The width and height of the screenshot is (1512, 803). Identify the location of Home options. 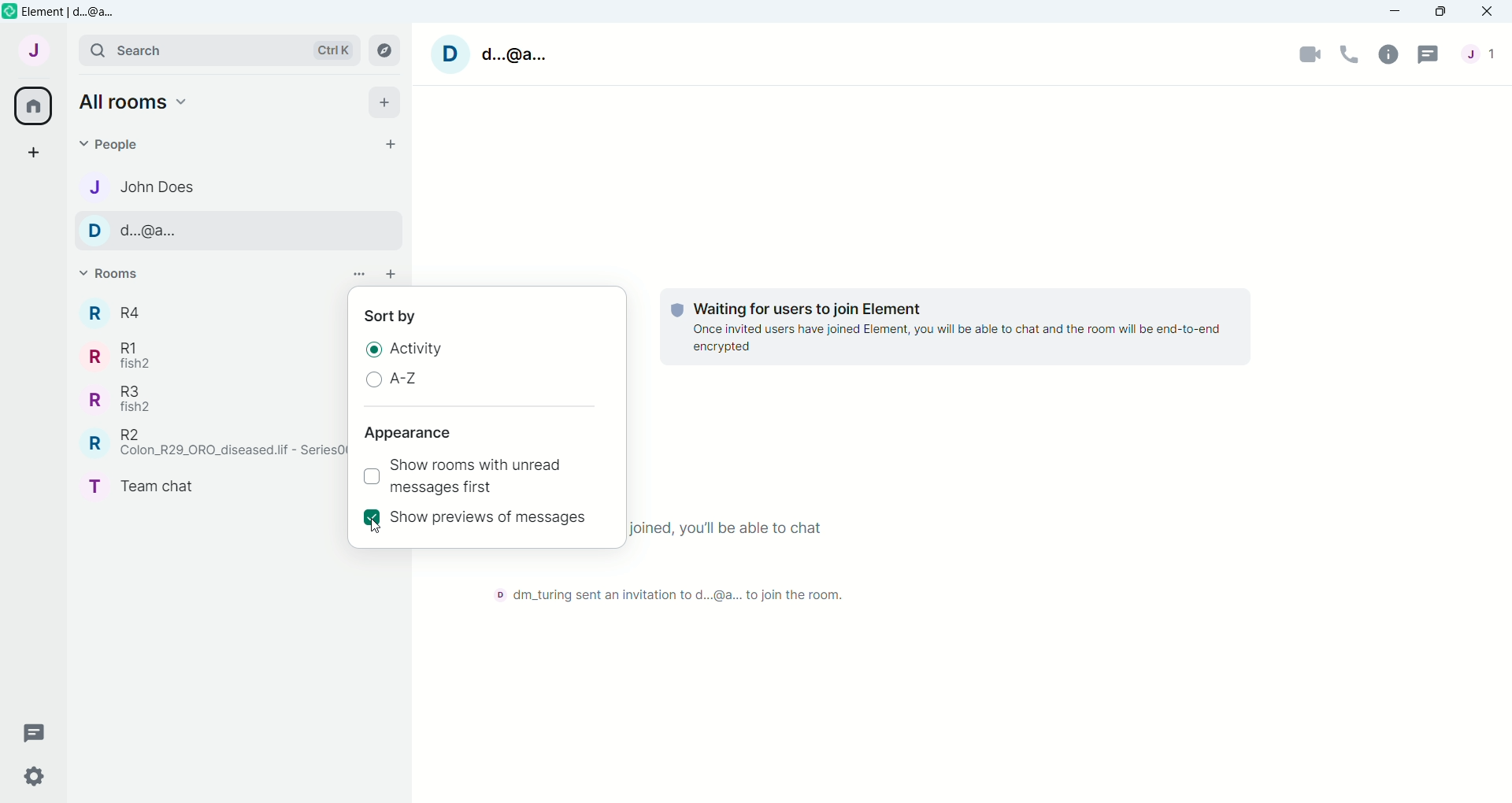
(139, 101).